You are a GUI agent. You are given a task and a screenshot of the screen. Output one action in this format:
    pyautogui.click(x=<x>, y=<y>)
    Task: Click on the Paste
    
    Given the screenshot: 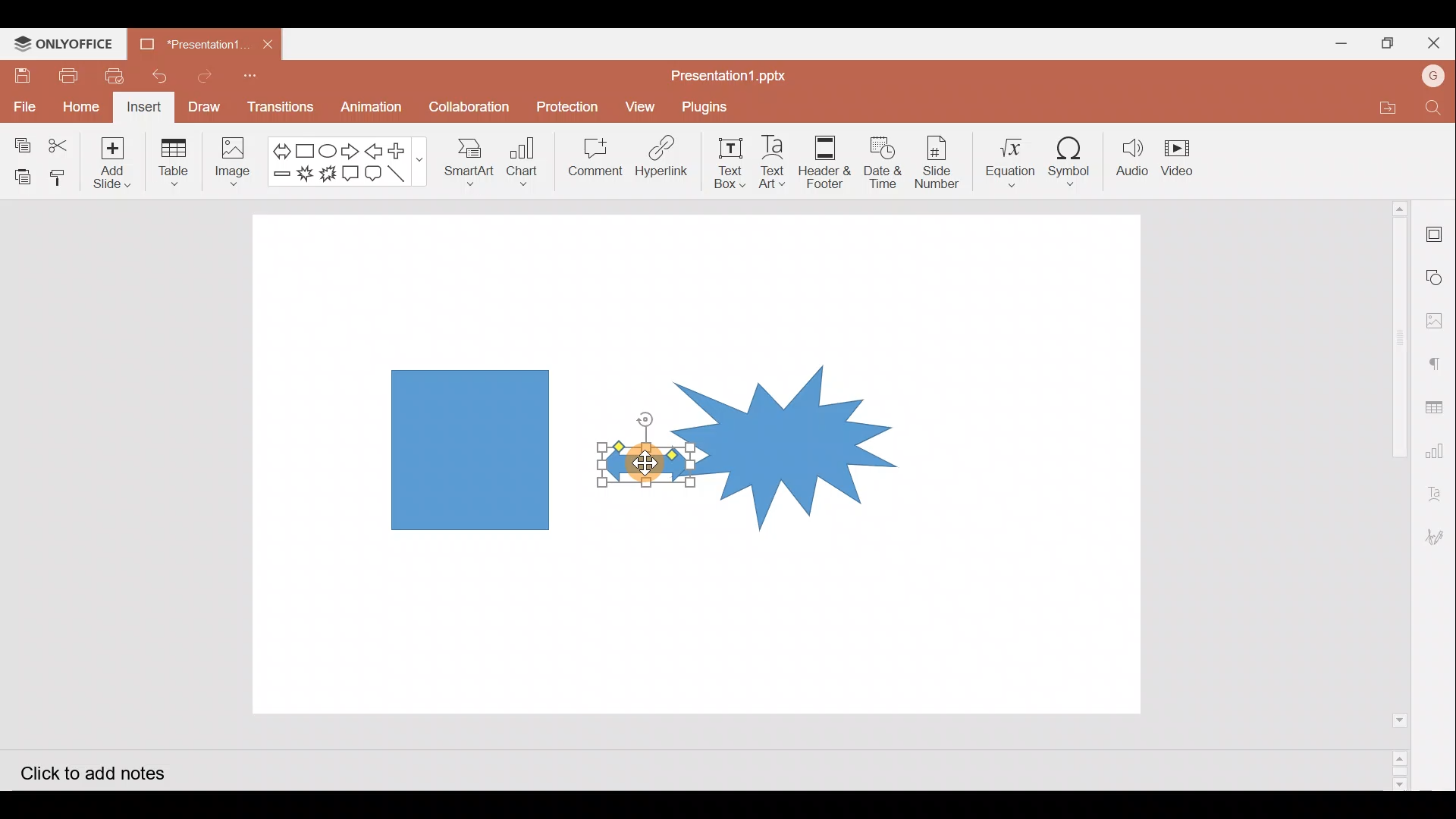 What is the action you would take?
    pyautogui.click(x=21, y=173)
    